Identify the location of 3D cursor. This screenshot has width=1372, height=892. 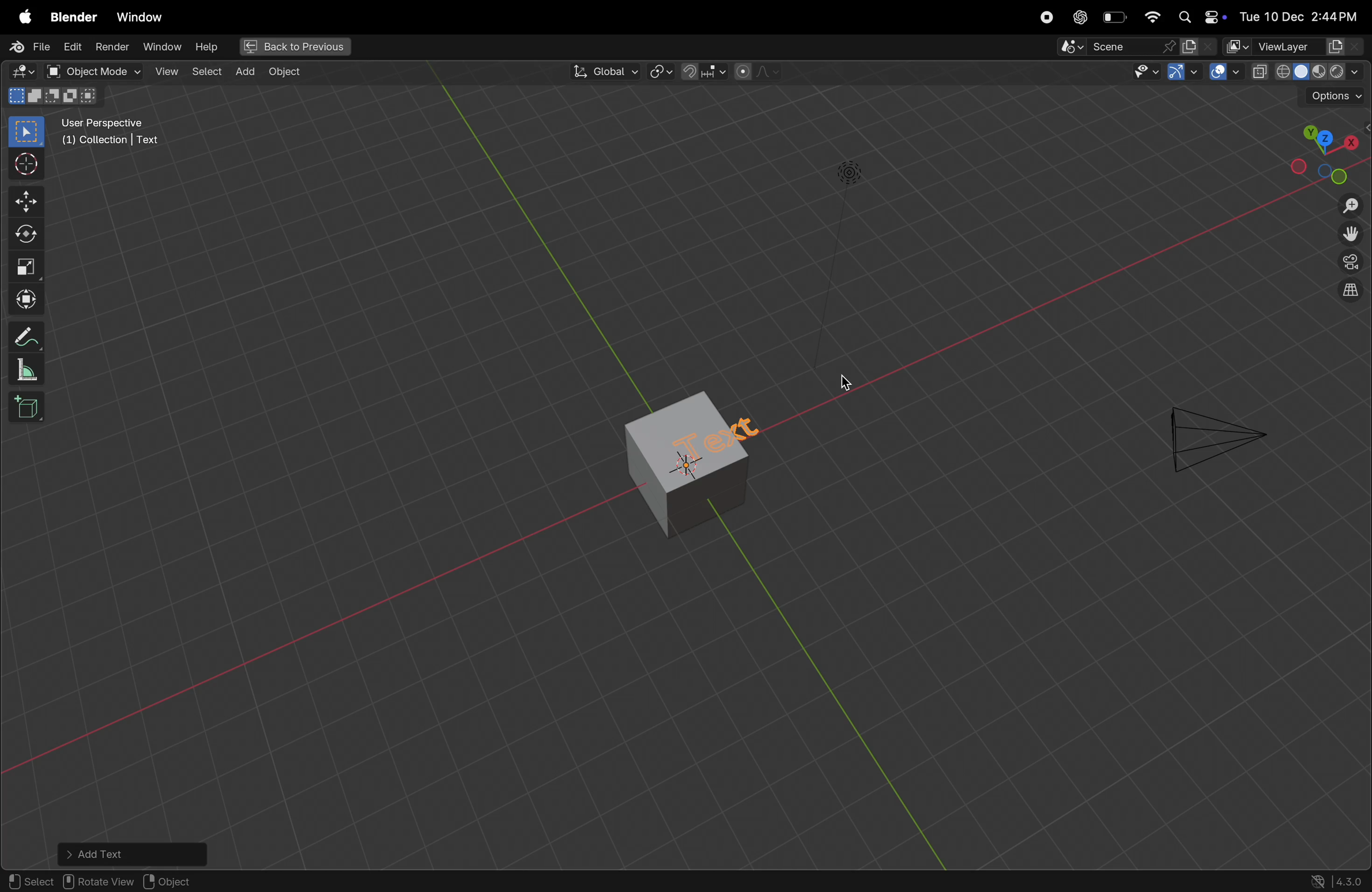
(196, 880).